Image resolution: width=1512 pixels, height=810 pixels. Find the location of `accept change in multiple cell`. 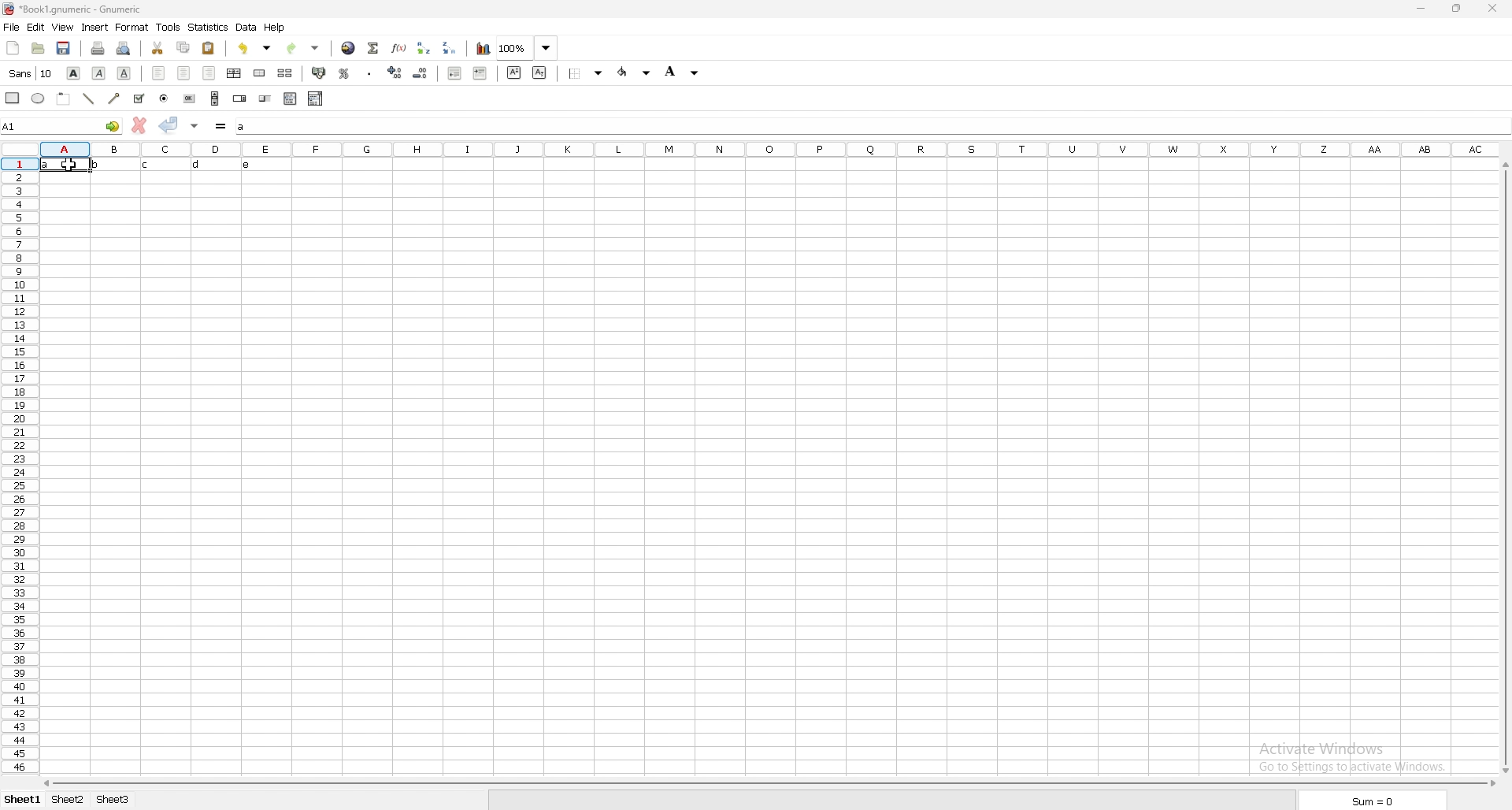

accept change in multiple cell is located at coordinates (195, 126).